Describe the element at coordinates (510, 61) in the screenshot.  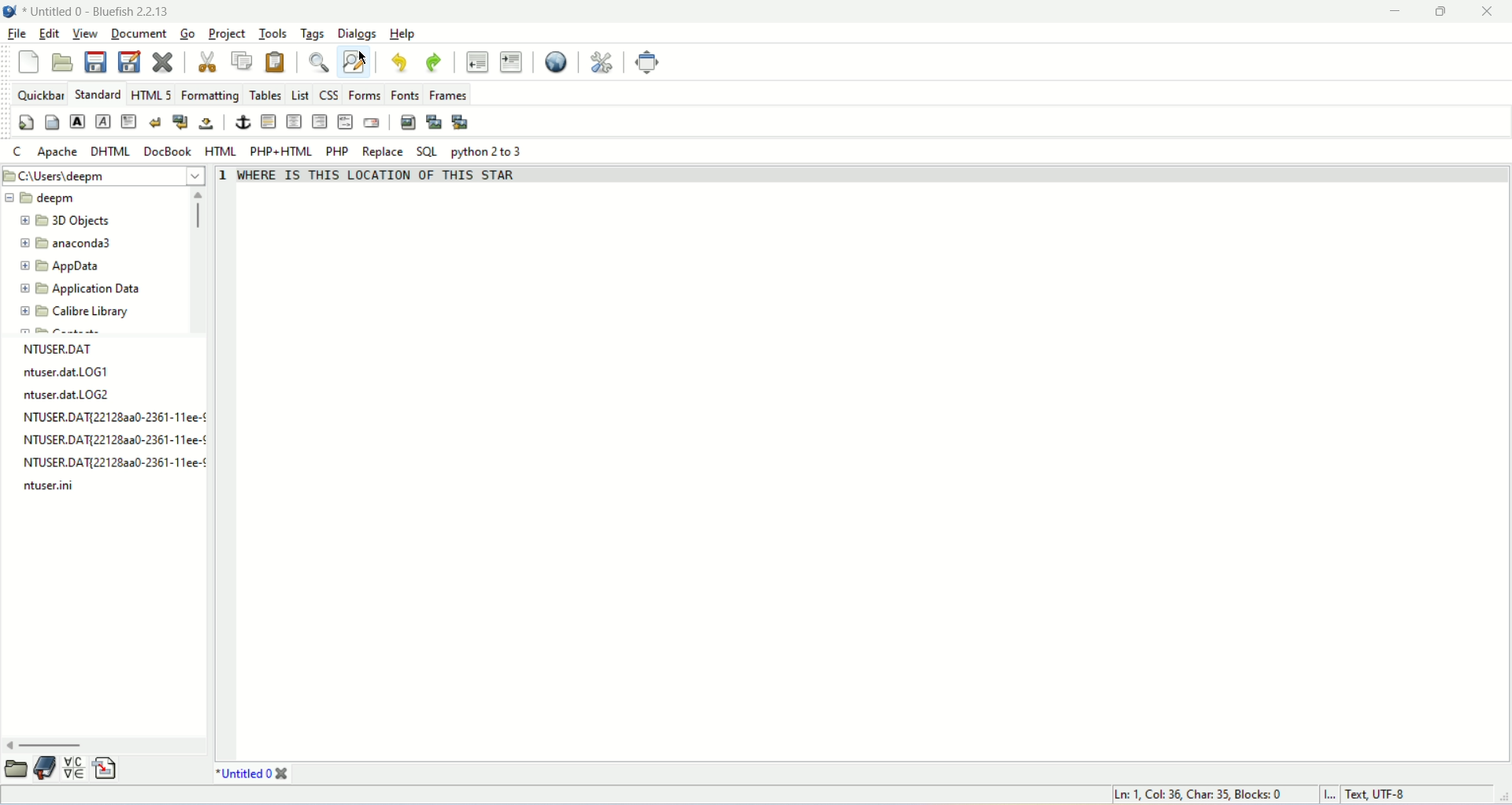
I see `indent` at that location.